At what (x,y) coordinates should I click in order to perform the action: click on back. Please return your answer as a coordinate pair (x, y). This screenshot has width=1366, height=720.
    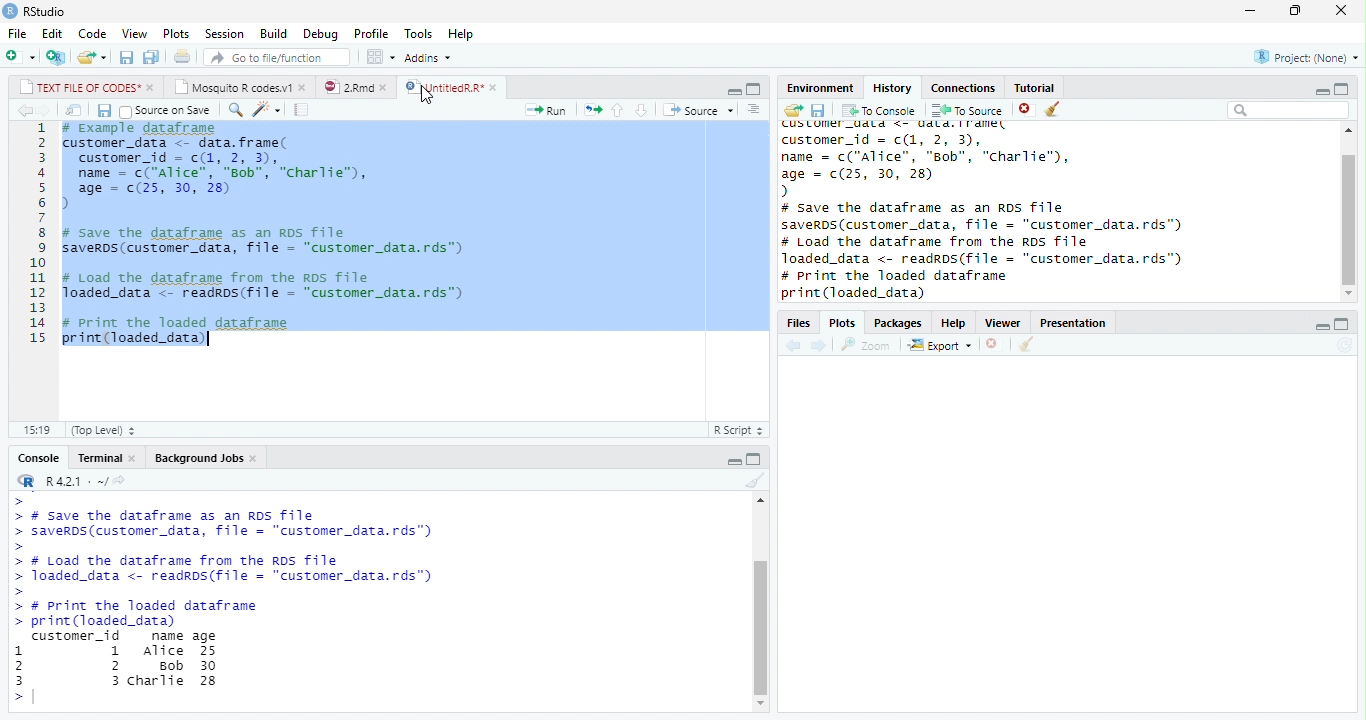
    Looking at the image, I should click on (793, 346).